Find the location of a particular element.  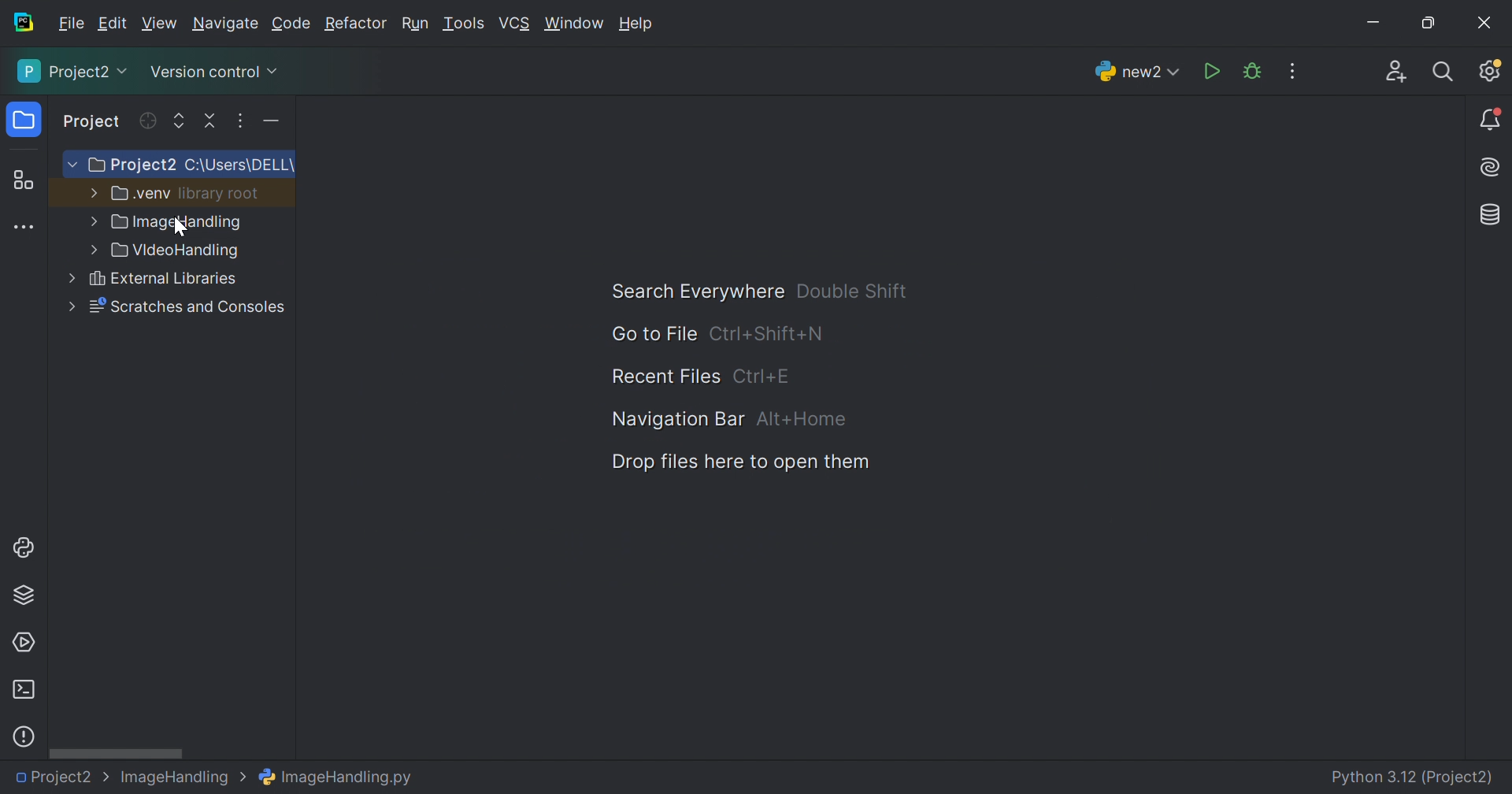

ImageHandling.py is located at coordinates (335, 775).